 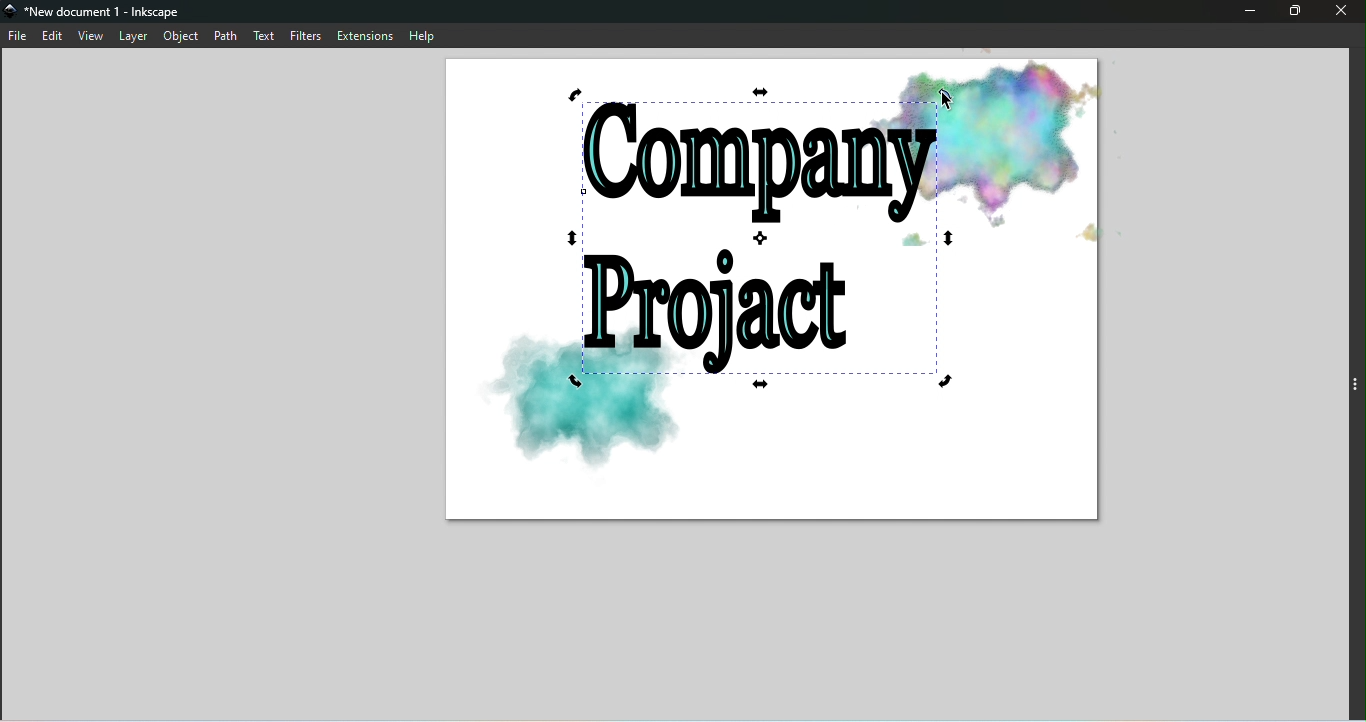 What do you see at coordinates (771, 289) in the screenshot?
I see `Canvas` at bounding box center [771, 289].